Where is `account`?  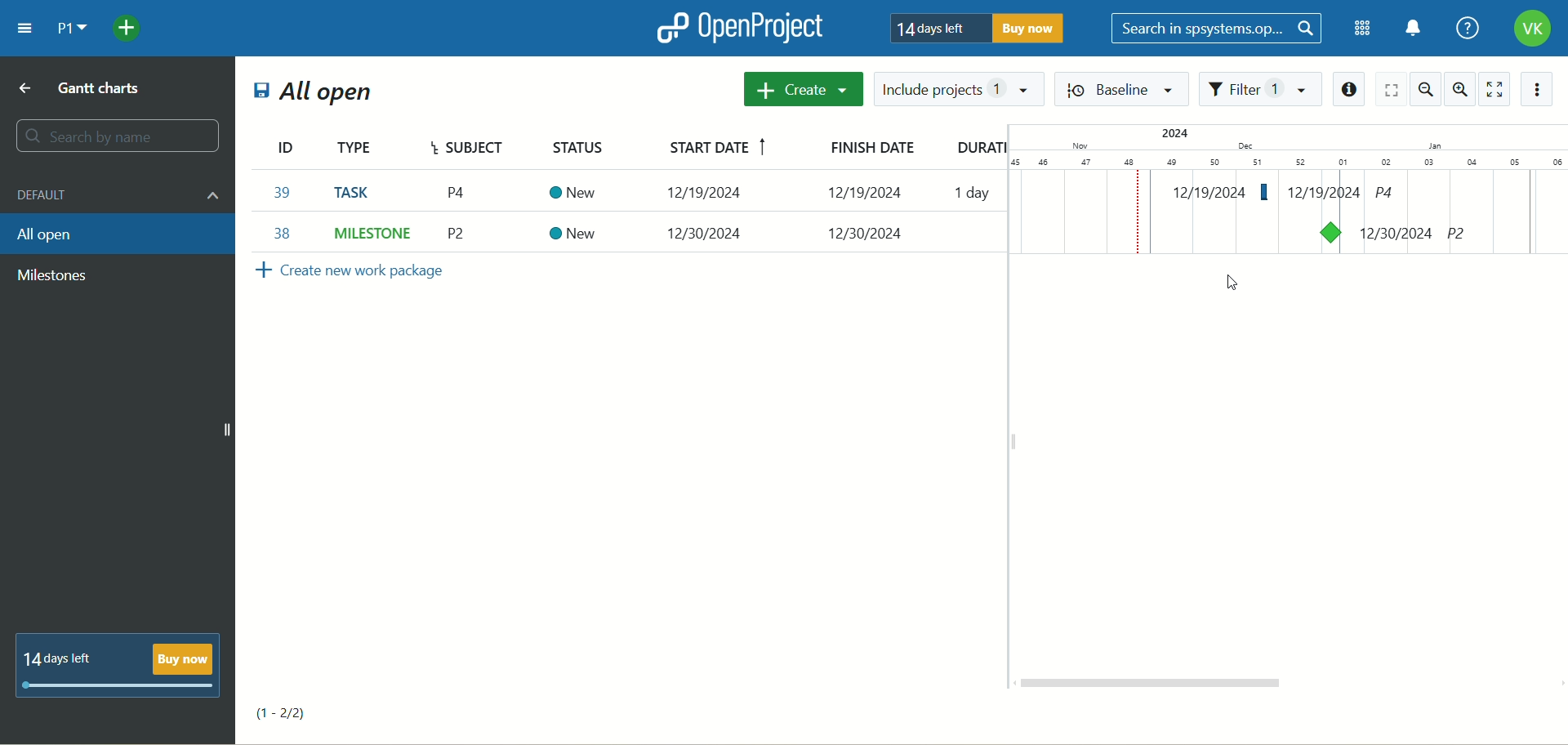 account is located at coordinates (1533, 29).